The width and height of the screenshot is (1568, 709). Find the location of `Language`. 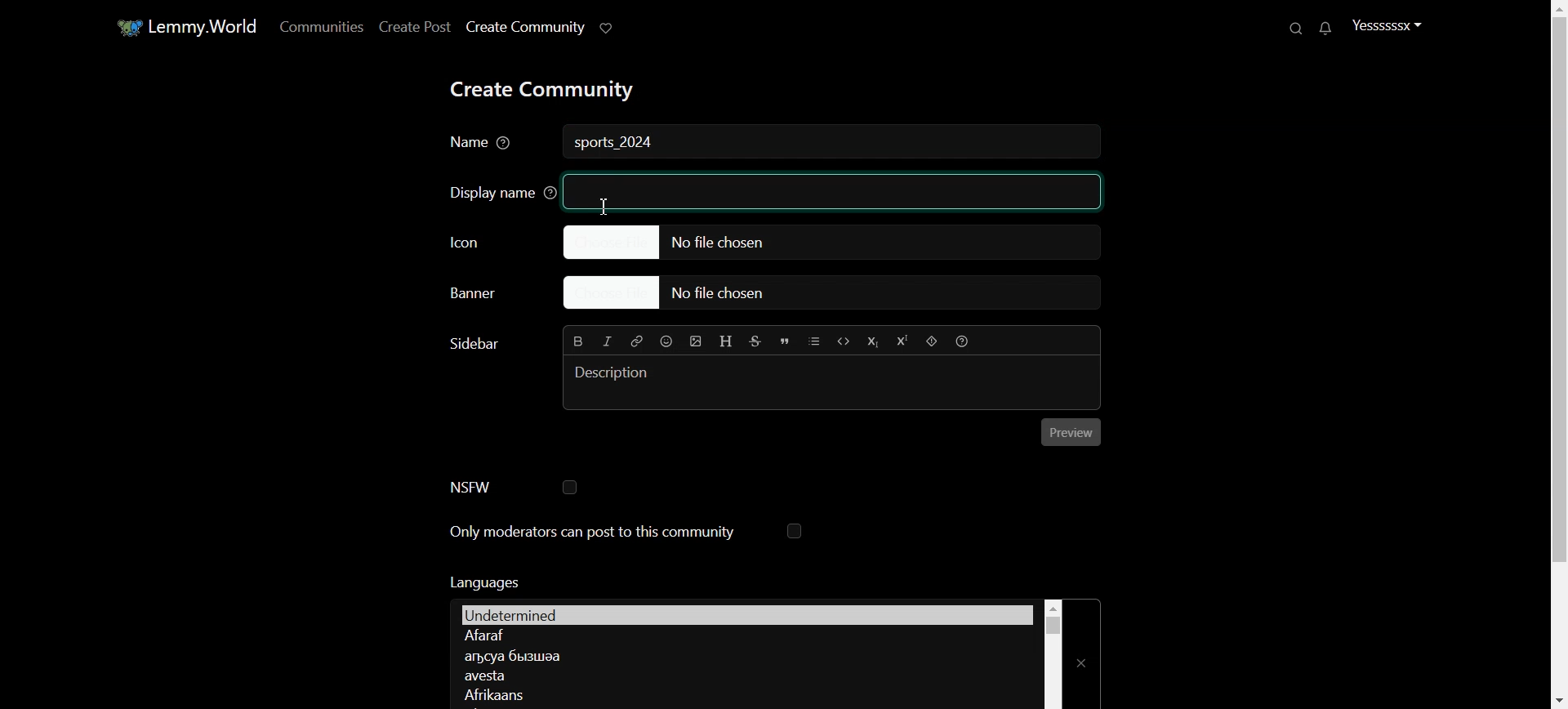

Language is located at coordinates (742, 693).